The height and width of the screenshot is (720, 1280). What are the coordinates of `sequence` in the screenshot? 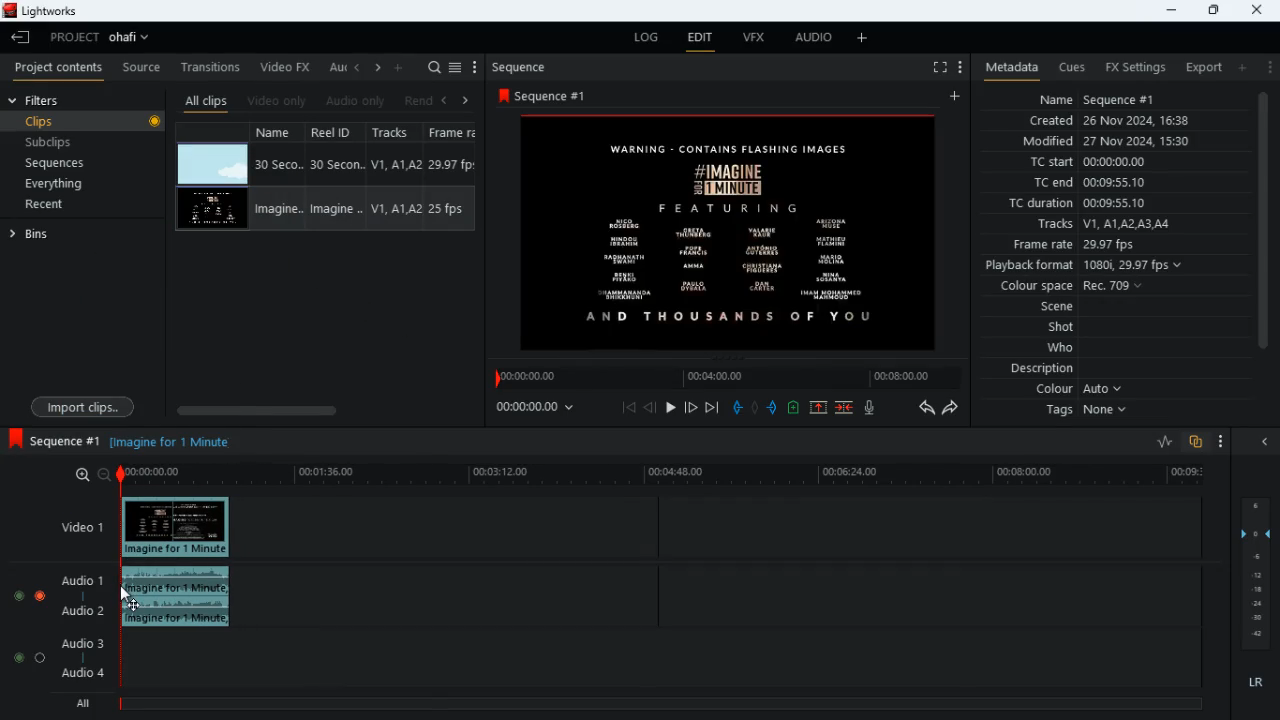 It's located at (525, 67).